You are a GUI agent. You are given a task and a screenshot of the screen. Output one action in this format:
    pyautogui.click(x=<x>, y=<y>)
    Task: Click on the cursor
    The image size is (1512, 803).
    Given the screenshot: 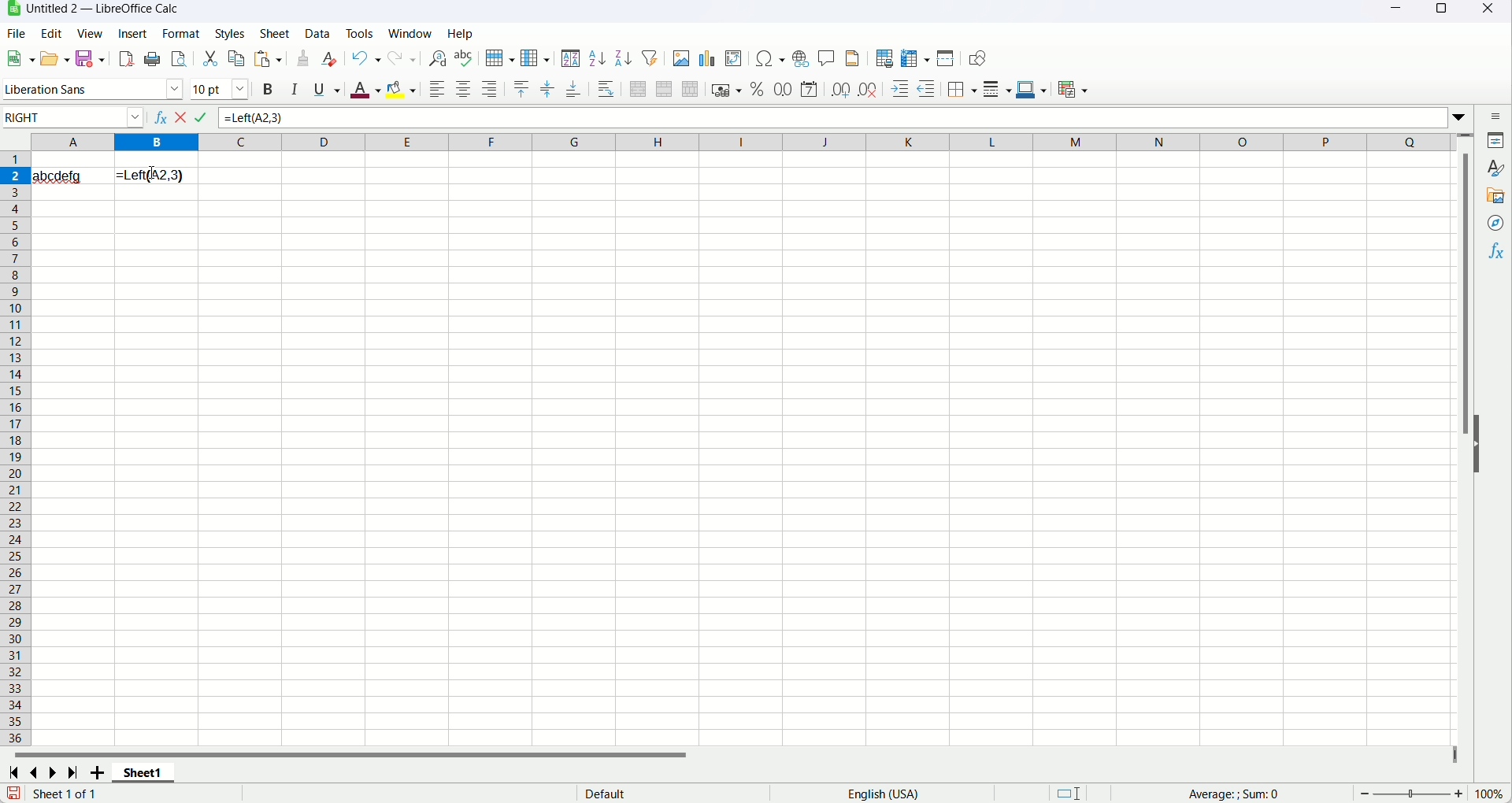 What is the action you would take?
    pyautogui.click(x=153, y=170)
    